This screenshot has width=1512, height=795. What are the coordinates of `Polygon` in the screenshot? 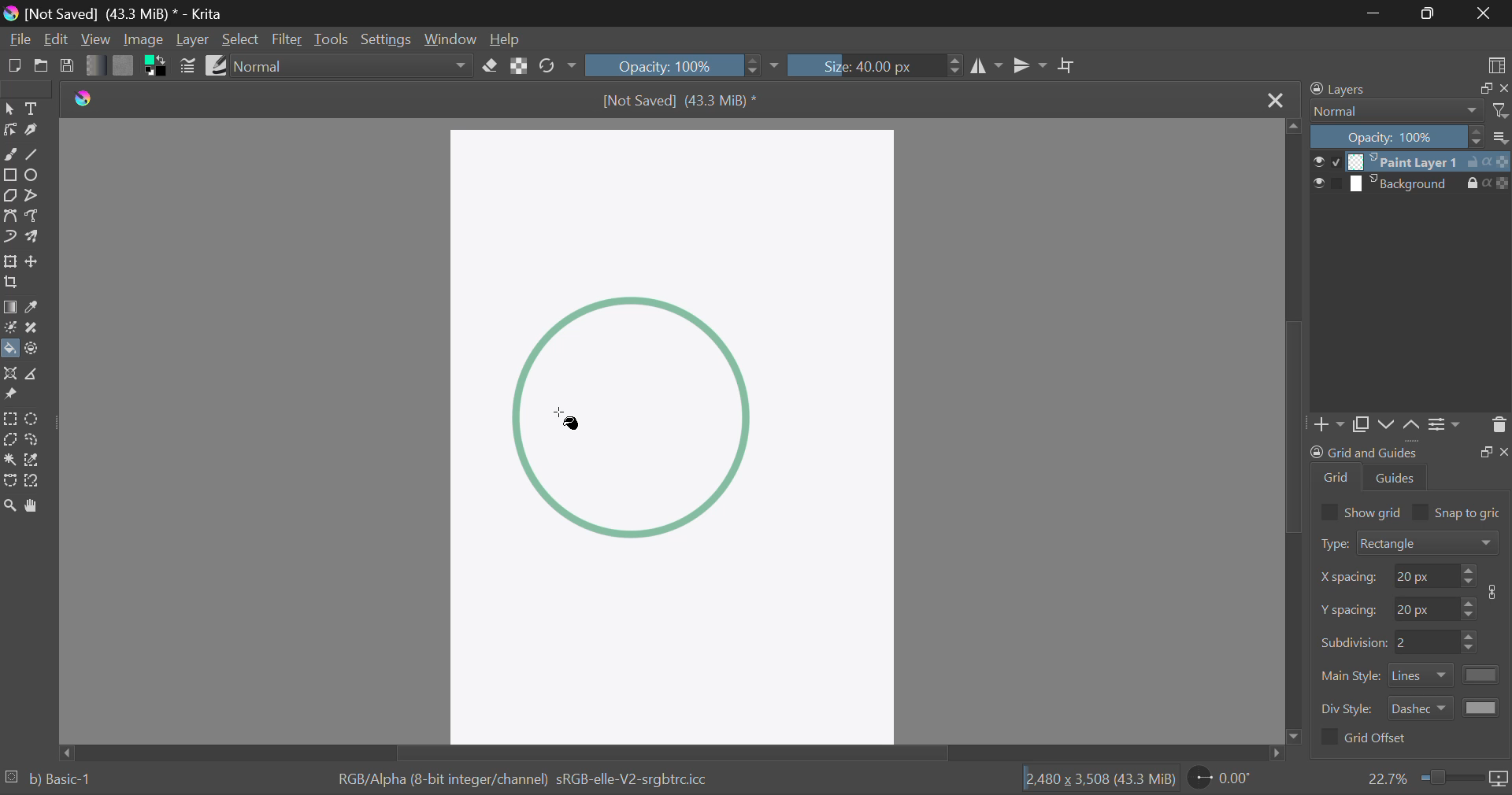 It's located at (9, 194).